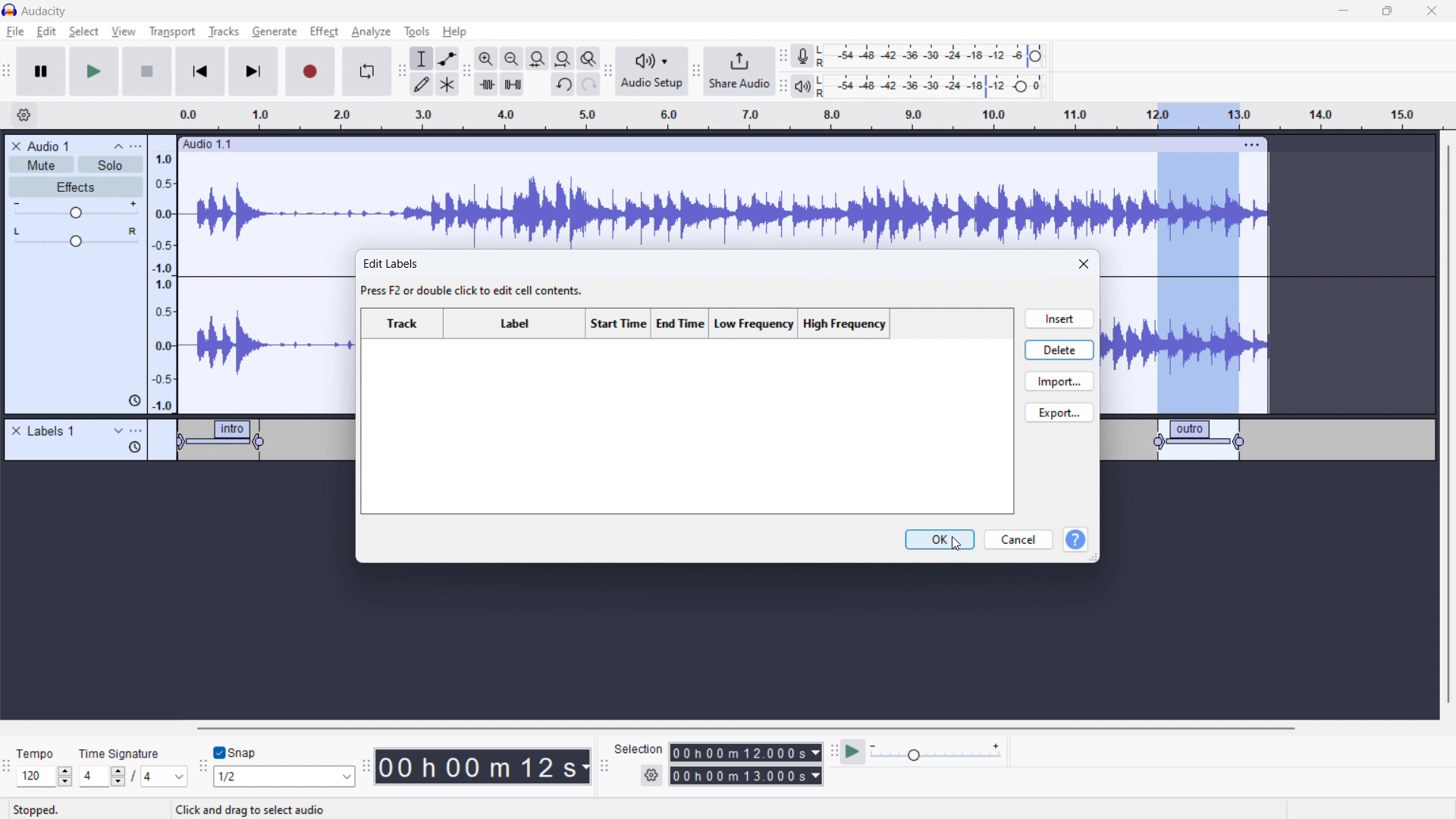 The height and width of the screenshot is (819, 1456). I want to click on horizontal scrollbar, so click(748, 728).